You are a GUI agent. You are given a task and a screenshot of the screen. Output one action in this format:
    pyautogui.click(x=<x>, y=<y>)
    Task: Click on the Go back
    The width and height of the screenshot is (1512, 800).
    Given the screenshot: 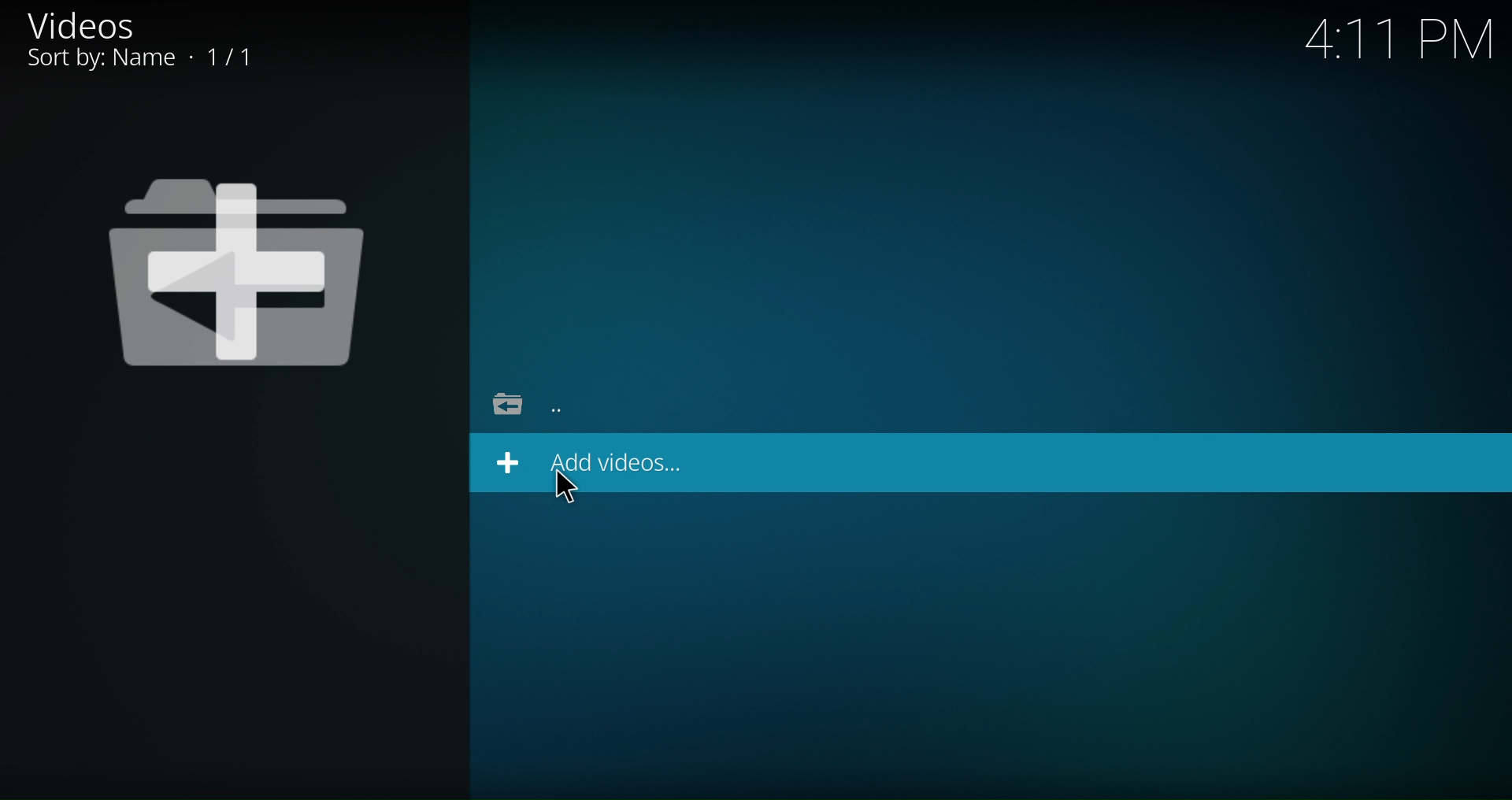 What is the action you would take?
    pyautogui.click(x=570, y=409)
    